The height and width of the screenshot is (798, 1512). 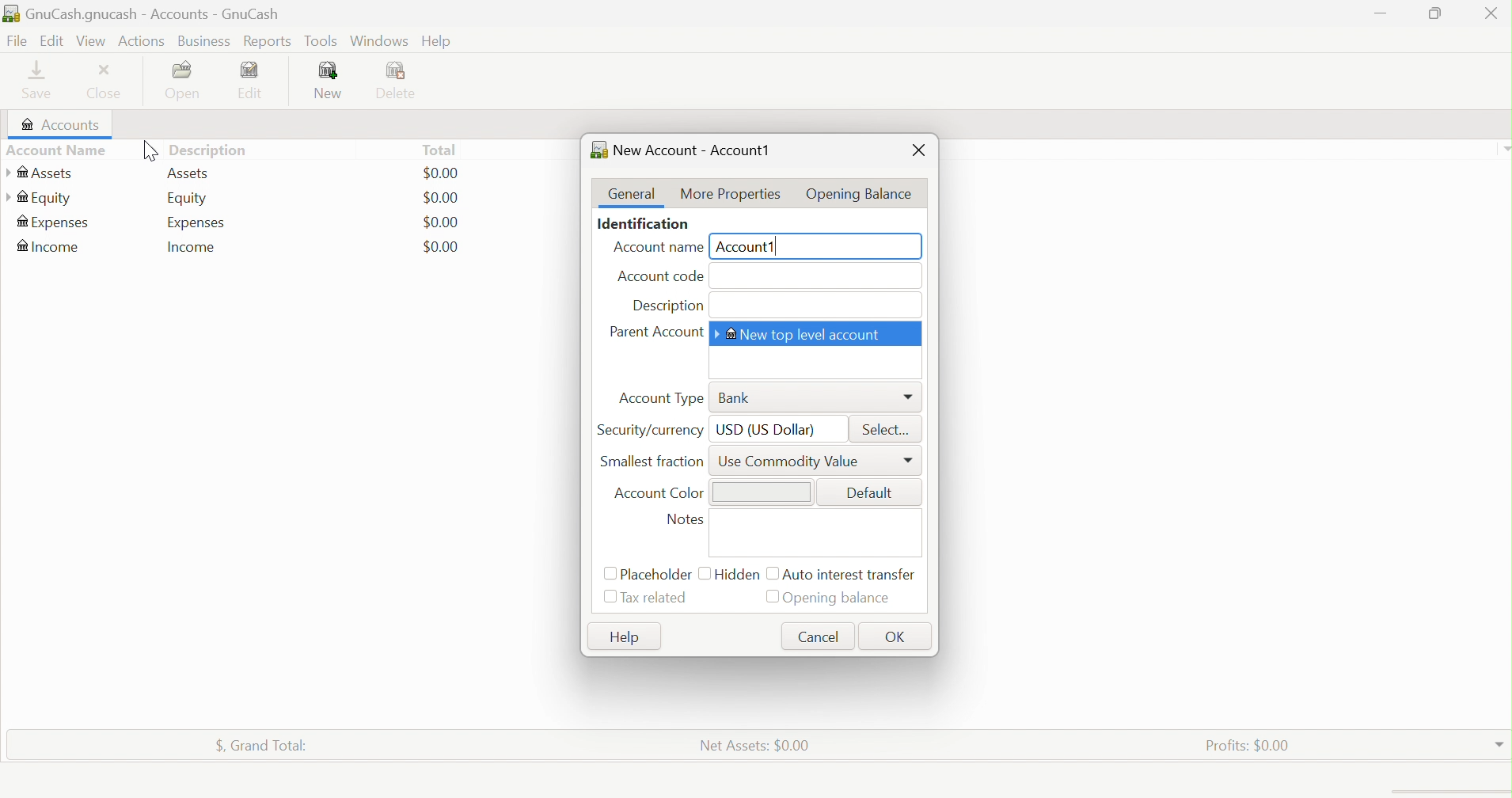 I want to click on Help, so click(x=622, y=637).